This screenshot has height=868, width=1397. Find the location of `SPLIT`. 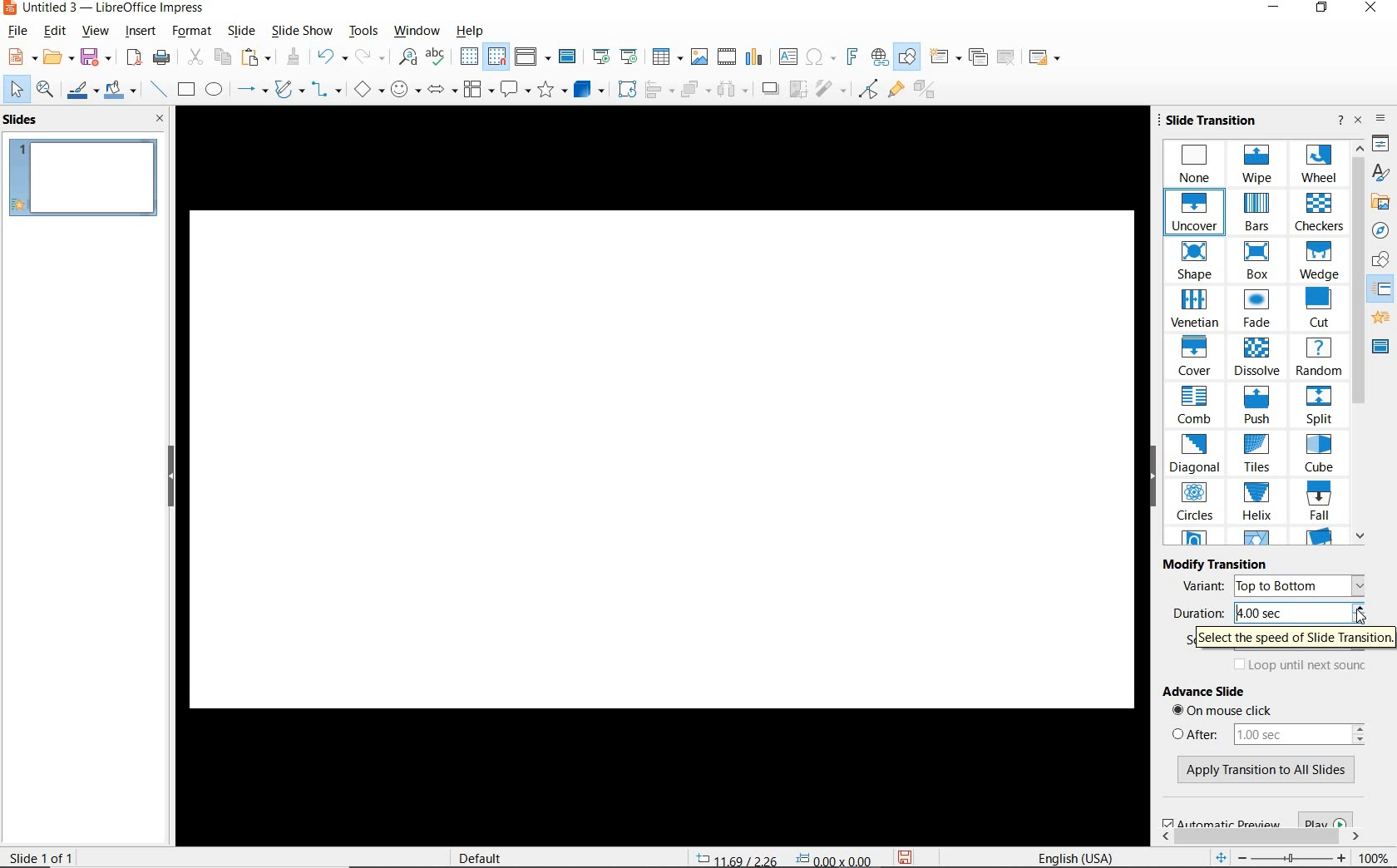

SPLIT is located at coordinates (1318, 406).